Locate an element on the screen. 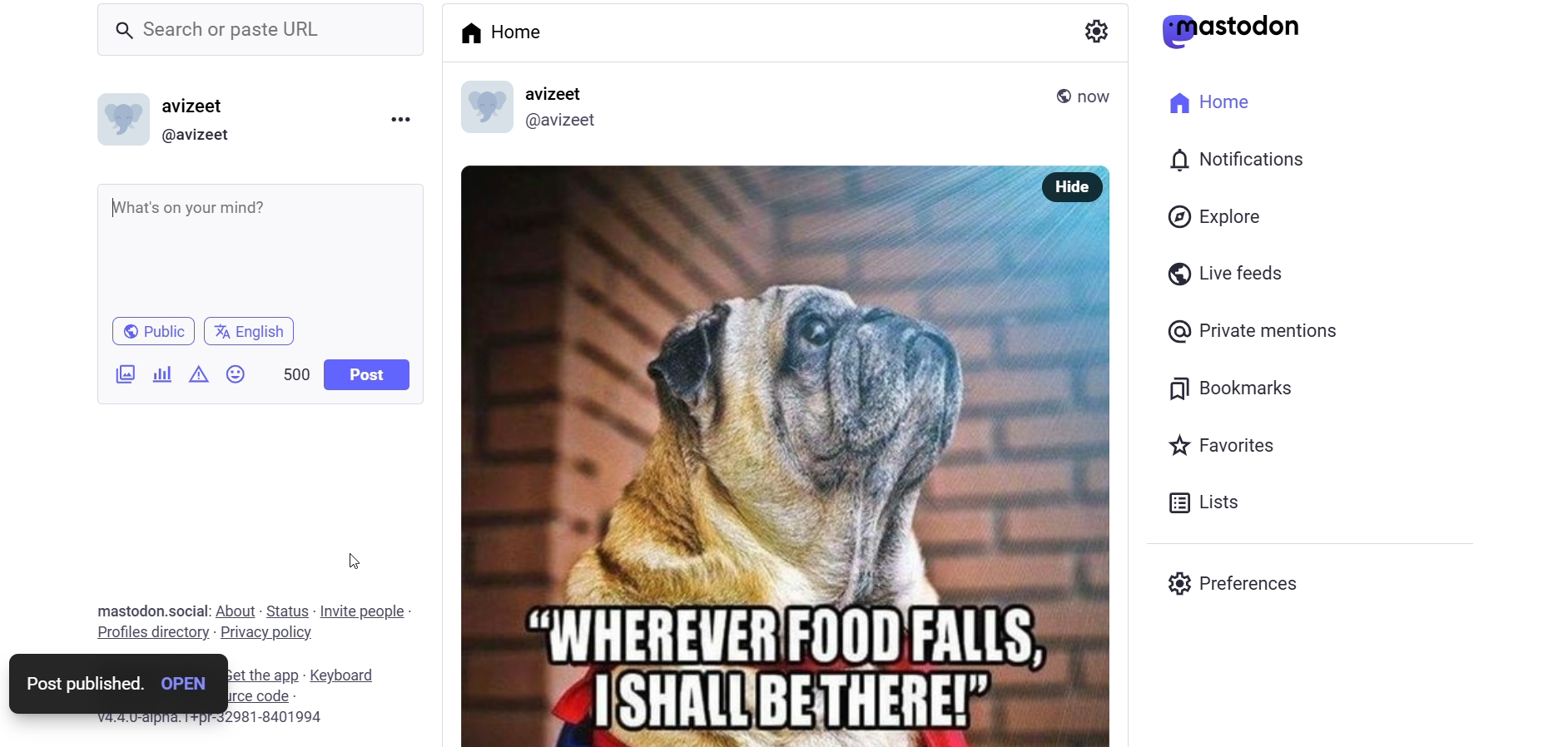 The image size is (1568, 747). word limit is located at coordinates (294, 375).